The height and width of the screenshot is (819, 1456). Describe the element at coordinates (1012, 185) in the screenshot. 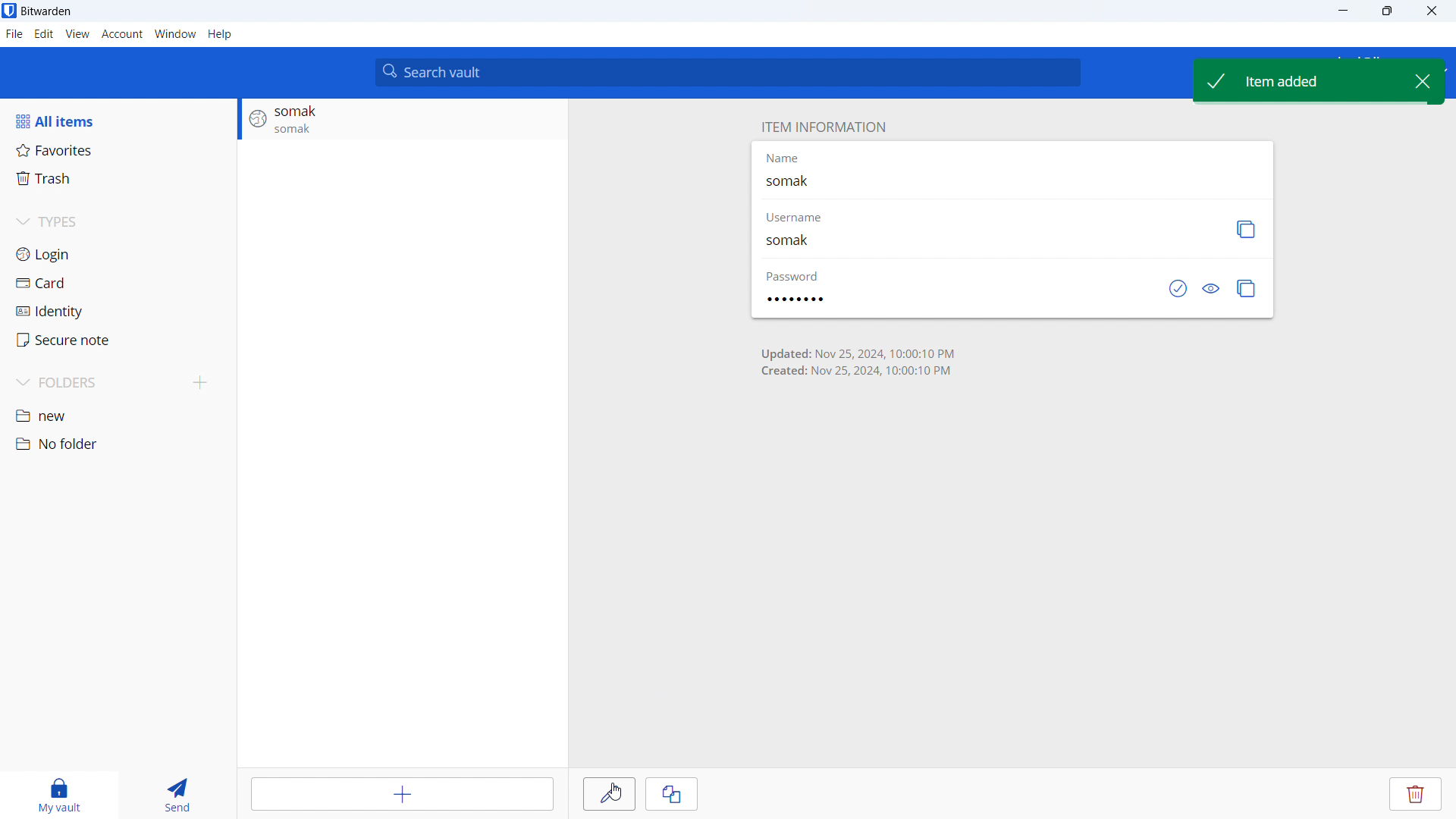

I see `name` at that location.